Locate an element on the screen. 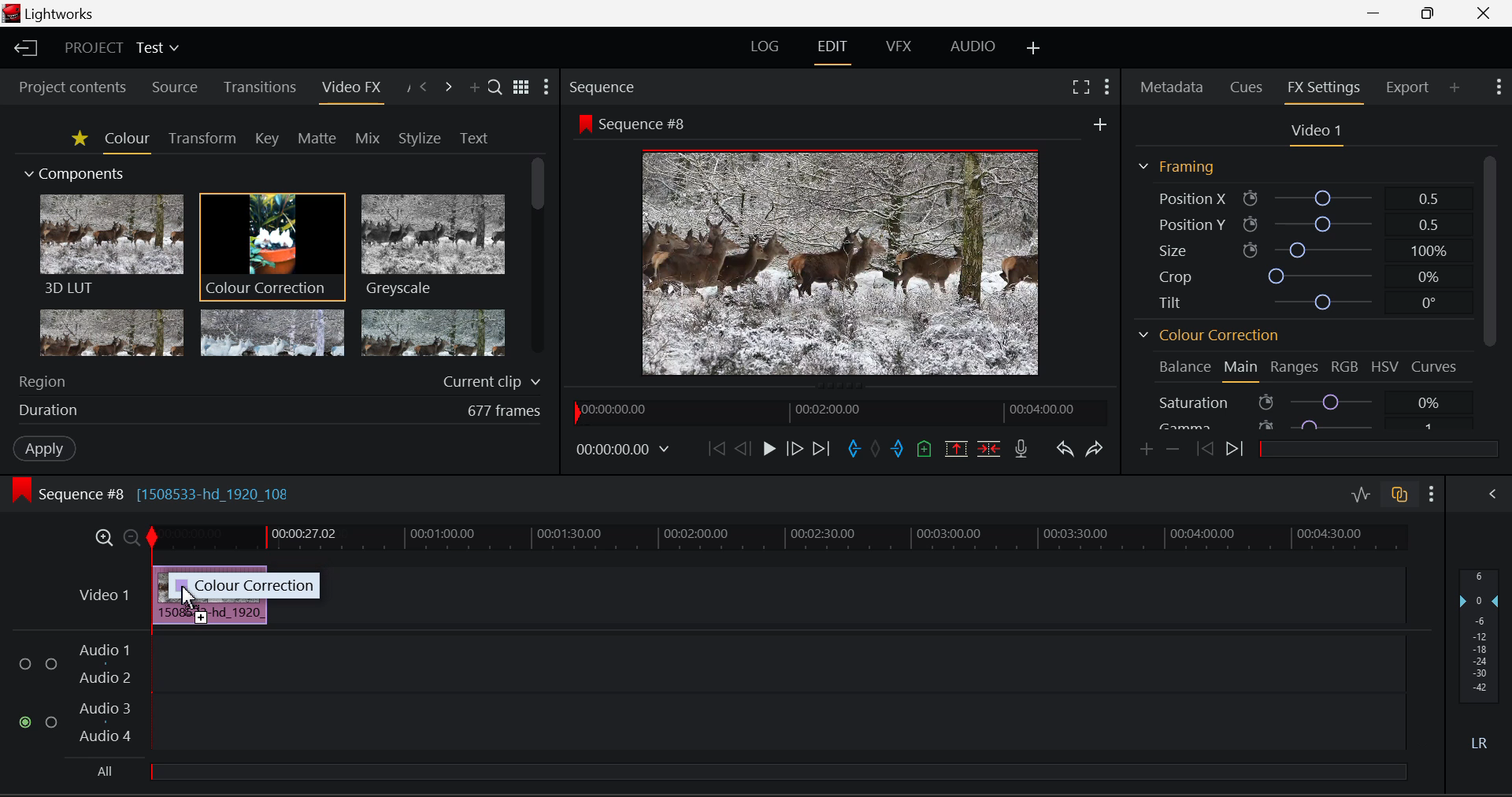  Audio 4 is located at coordinates (107, 739).